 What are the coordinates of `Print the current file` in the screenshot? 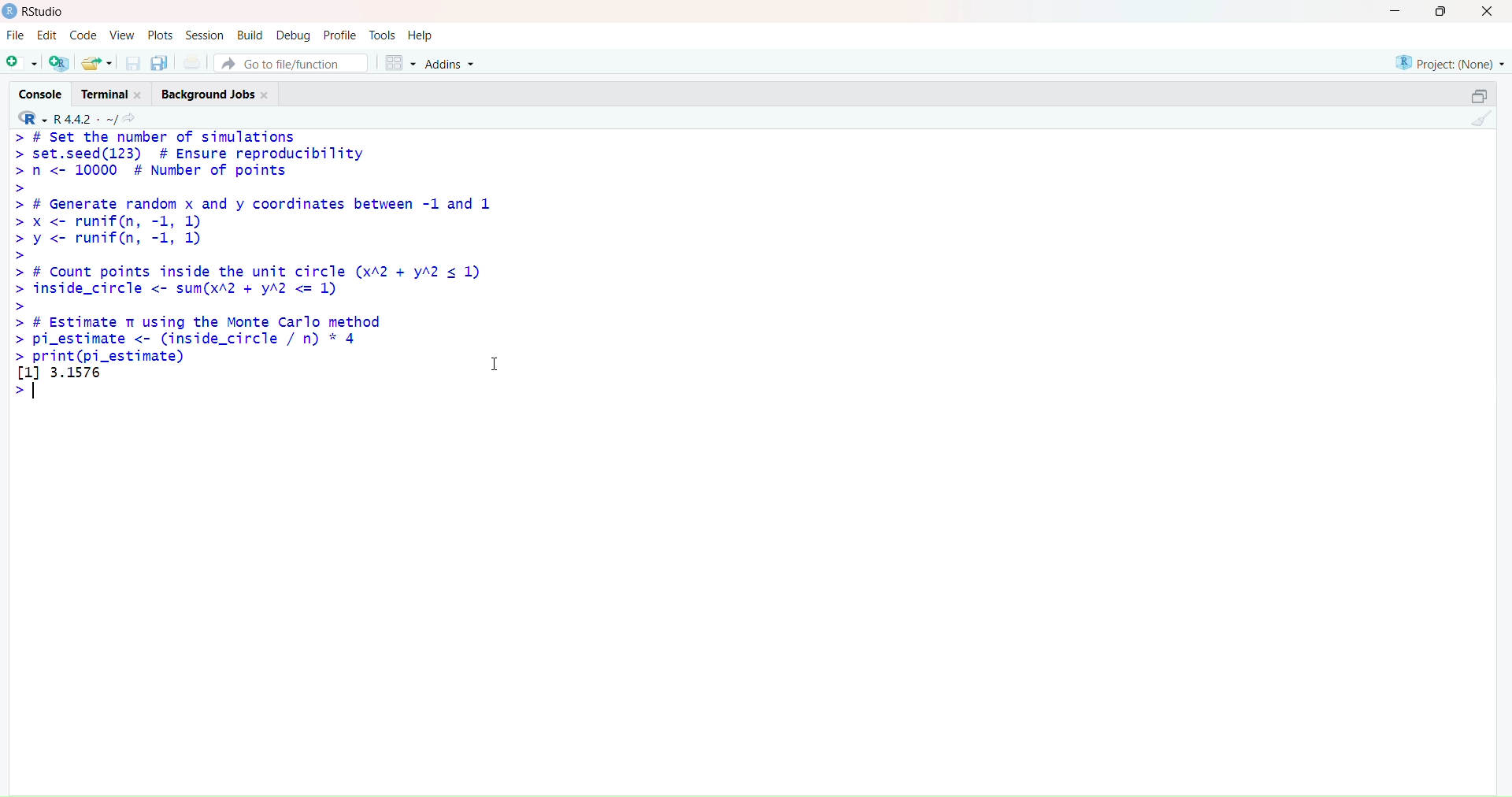 It's located at (195, 60).